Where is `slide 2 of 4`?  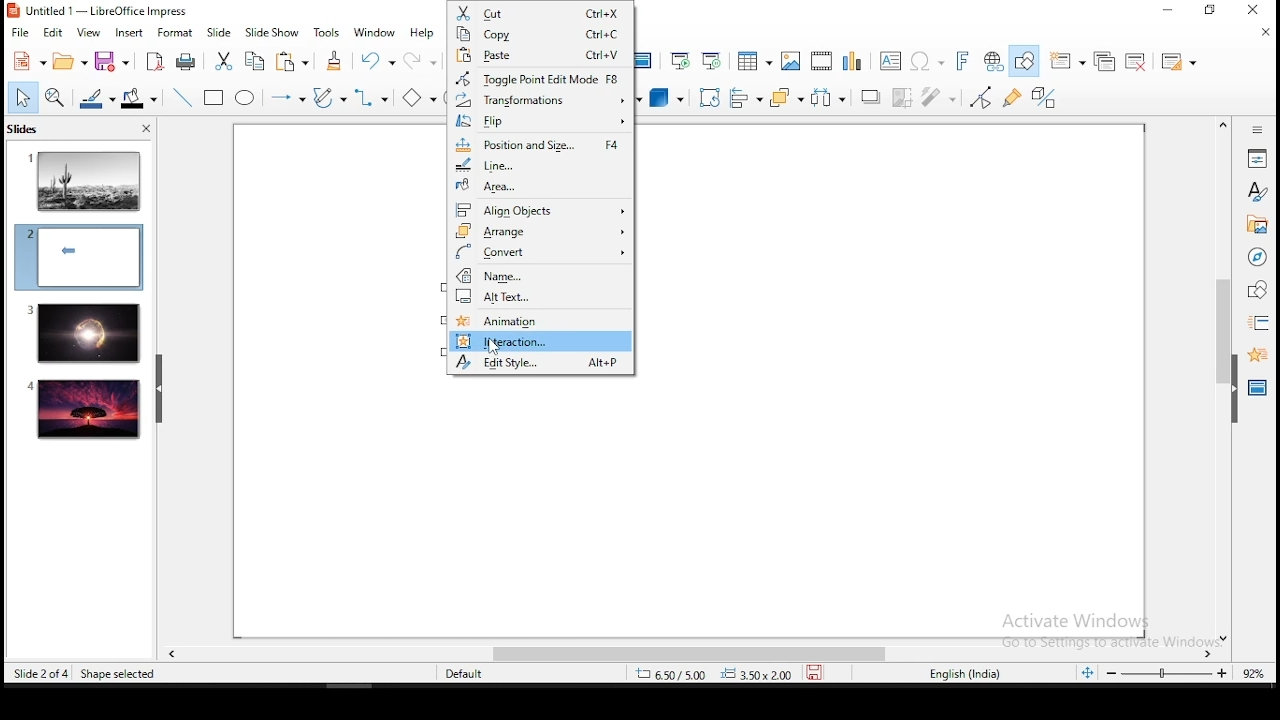 slide 2 of 4 is located at coordinates (41, 674).